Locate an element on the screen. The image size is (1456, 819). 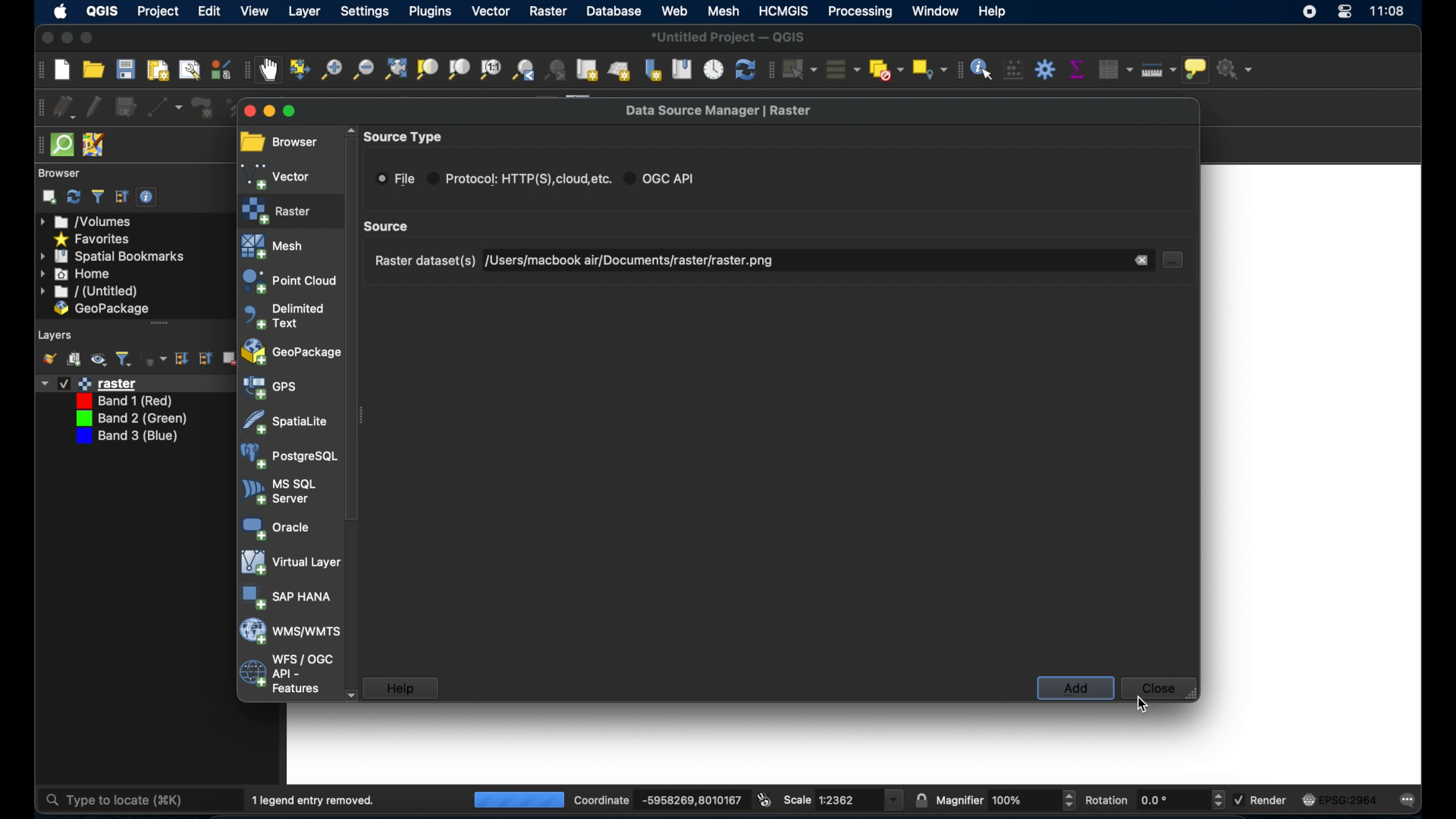
raster is located at coordinates (281, 210).